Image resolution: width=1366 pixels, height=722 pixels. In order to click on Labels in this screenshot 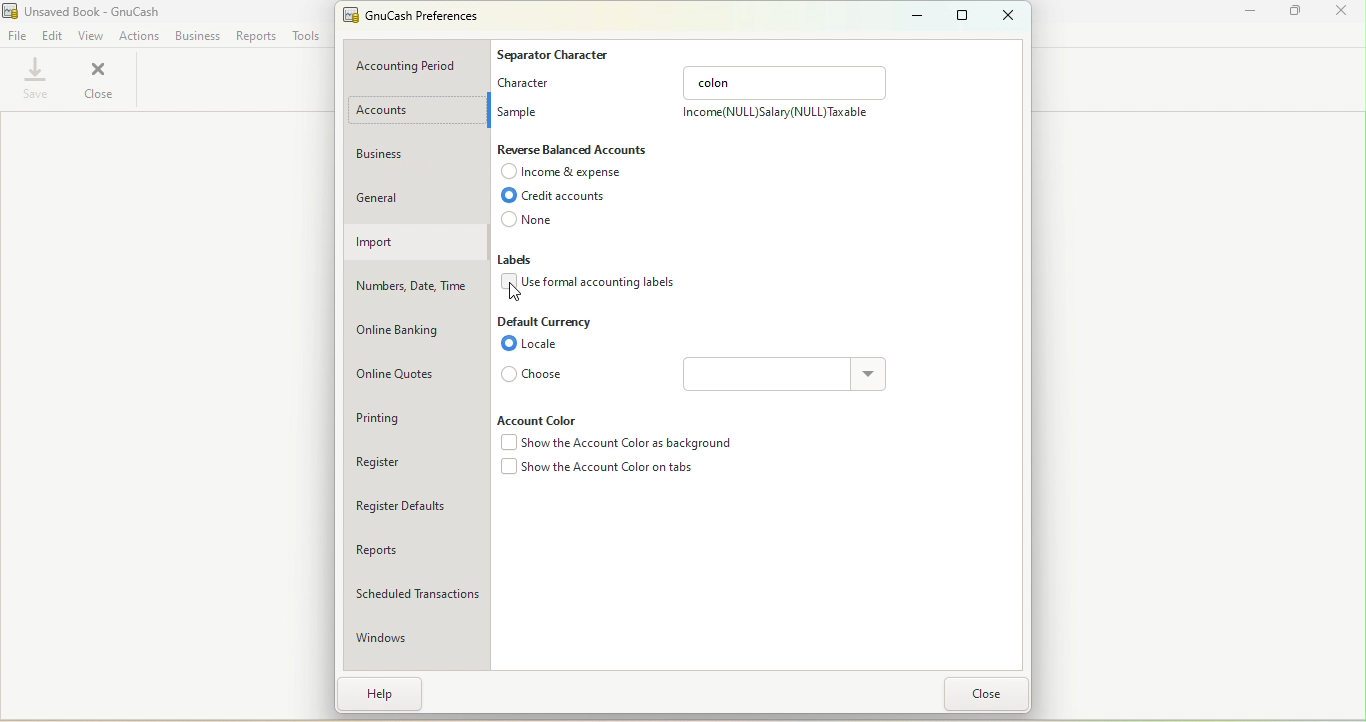, I will do `click(523, 261)`.